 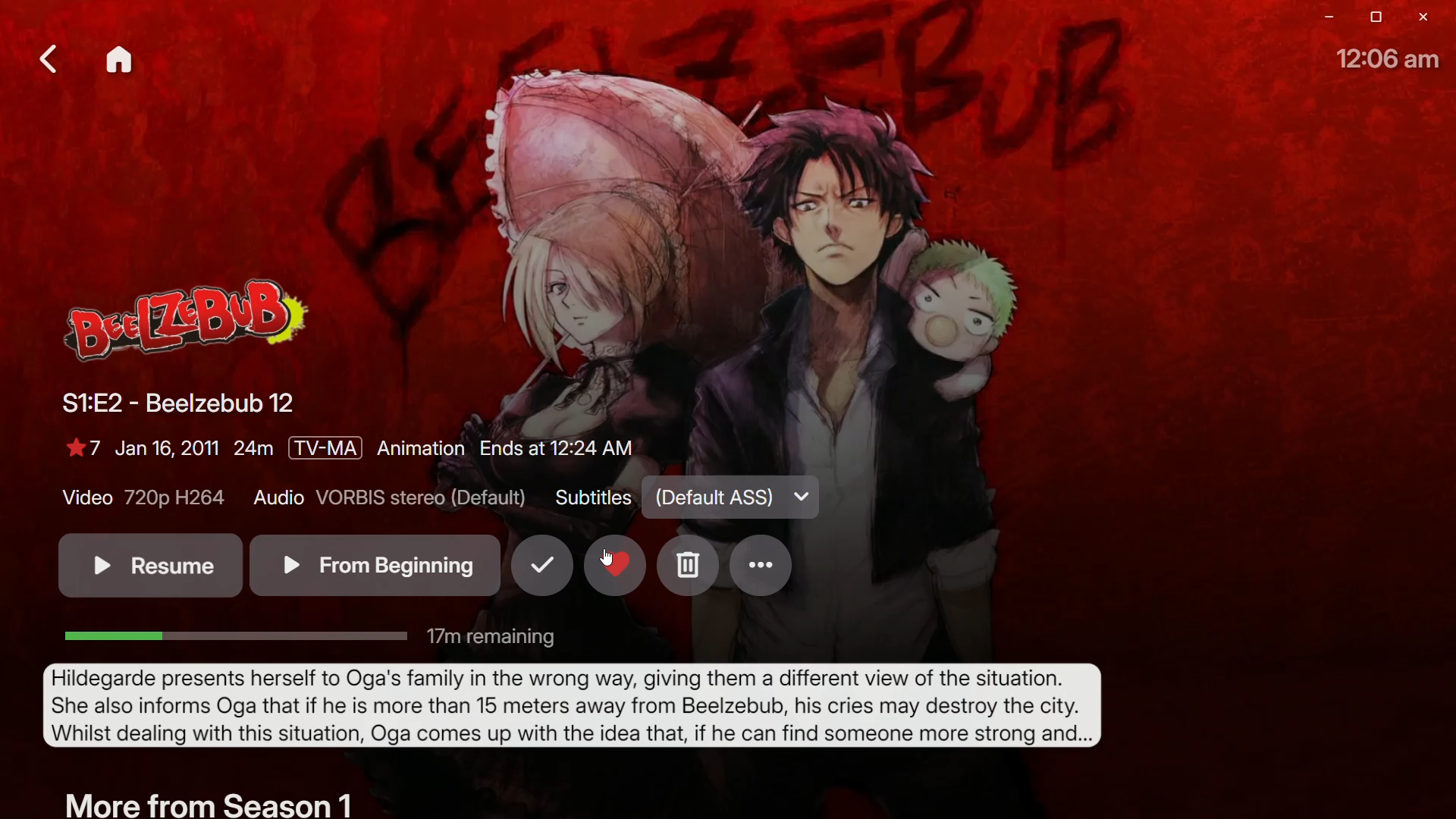 I want to click on Synopsis, so click(x=570, y=716).